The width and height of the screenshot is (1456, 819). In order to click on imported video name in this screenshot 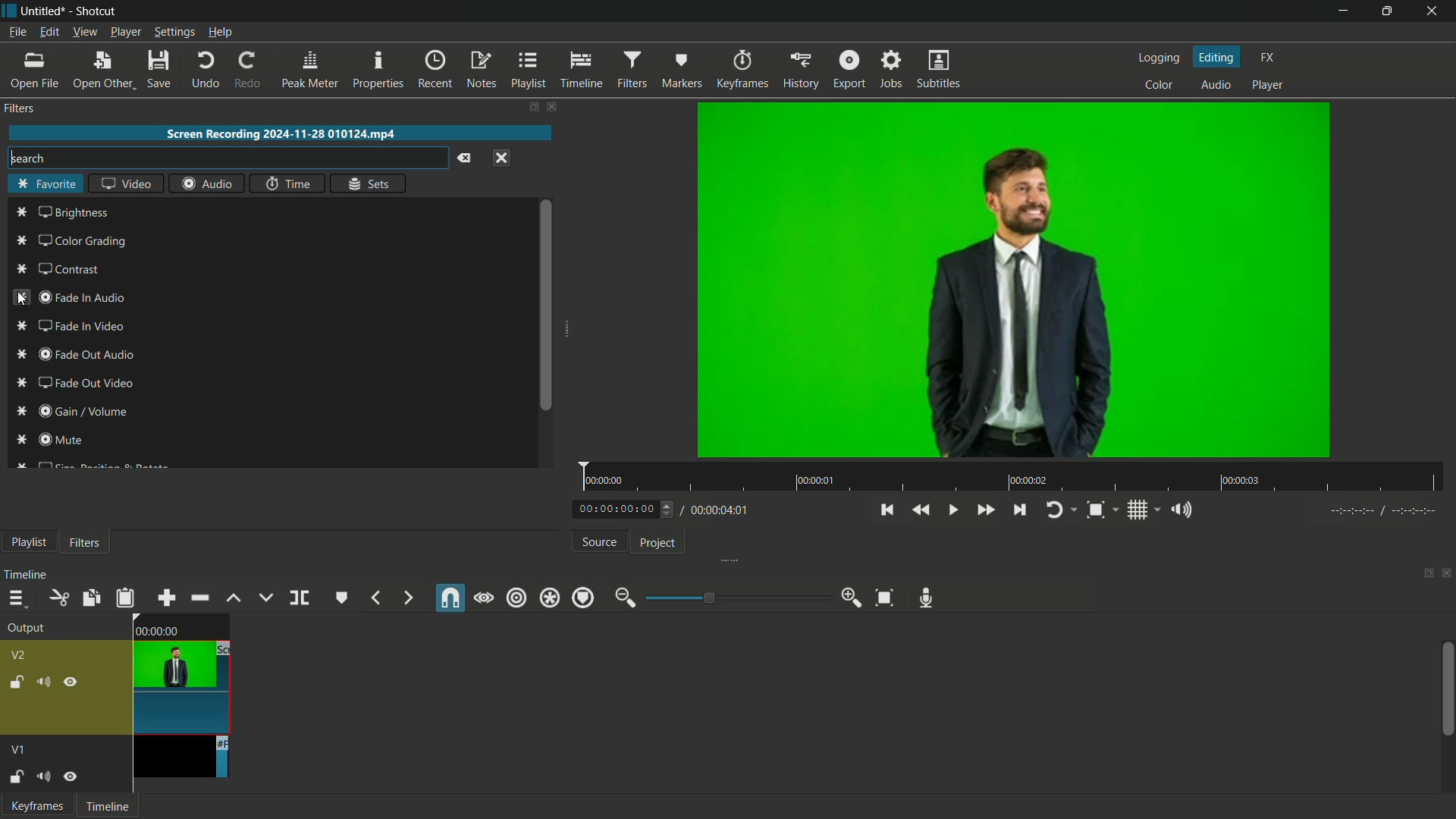, I will do `click(281, 134)`.